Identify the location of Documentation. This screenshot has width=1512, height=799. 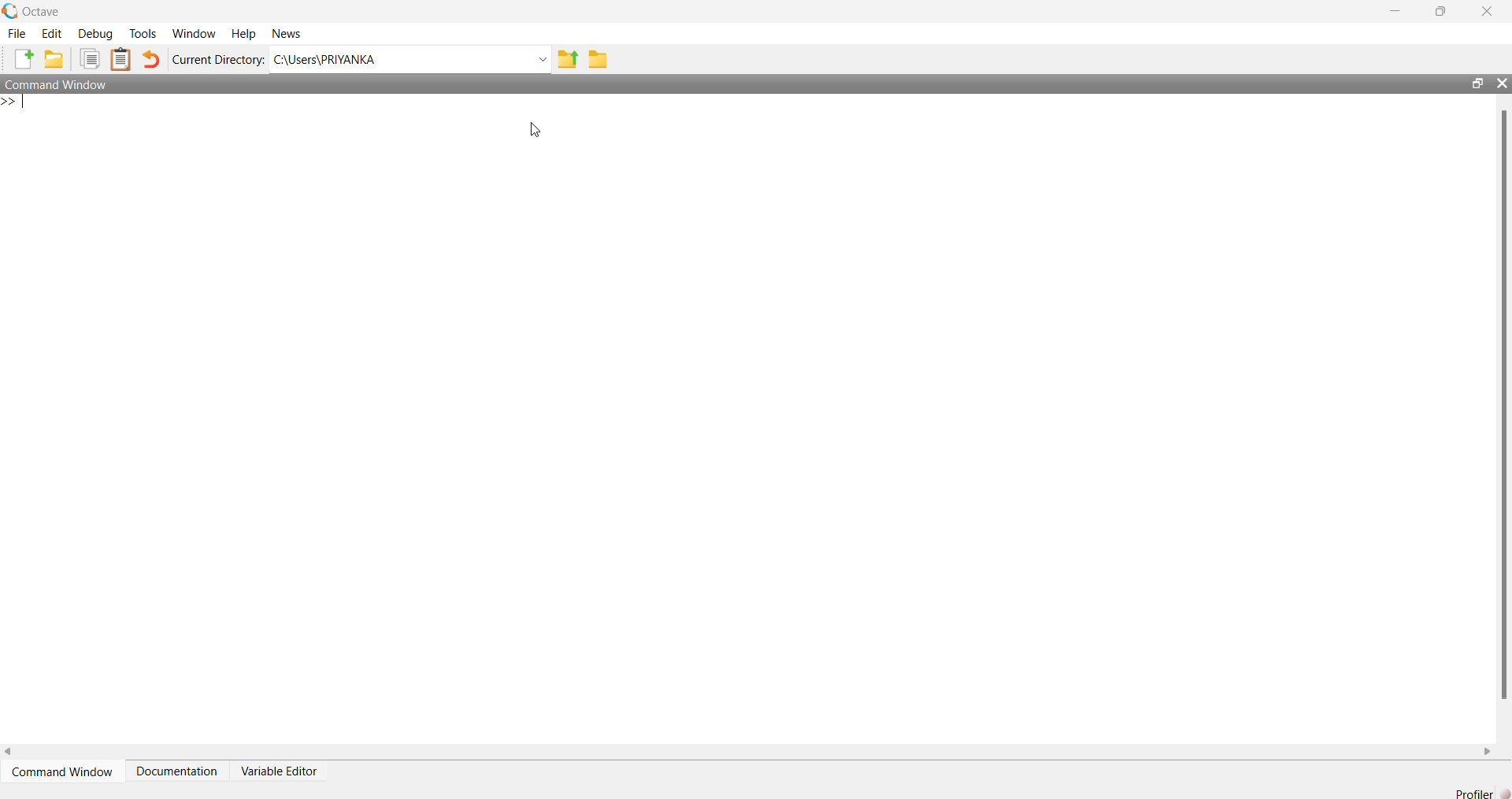
(177, 765).